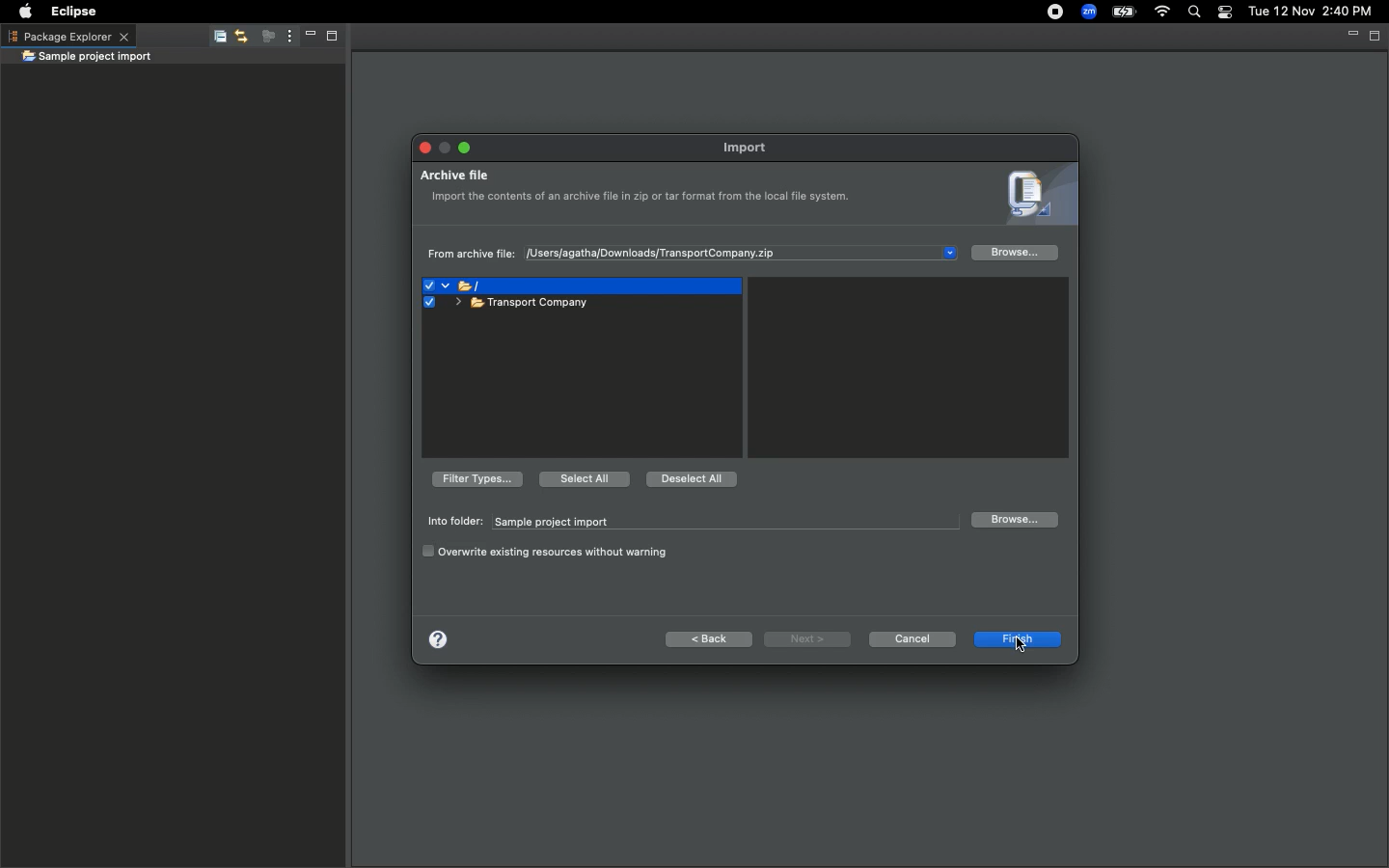 The height and width of the screenshot is (868, 1389). What do you see at coordinates (623, 256) in the screenshot?
I see `From archive file: [Users/agatha/Downloads/TransportCompany.zip` at bounding box center [623, 256].